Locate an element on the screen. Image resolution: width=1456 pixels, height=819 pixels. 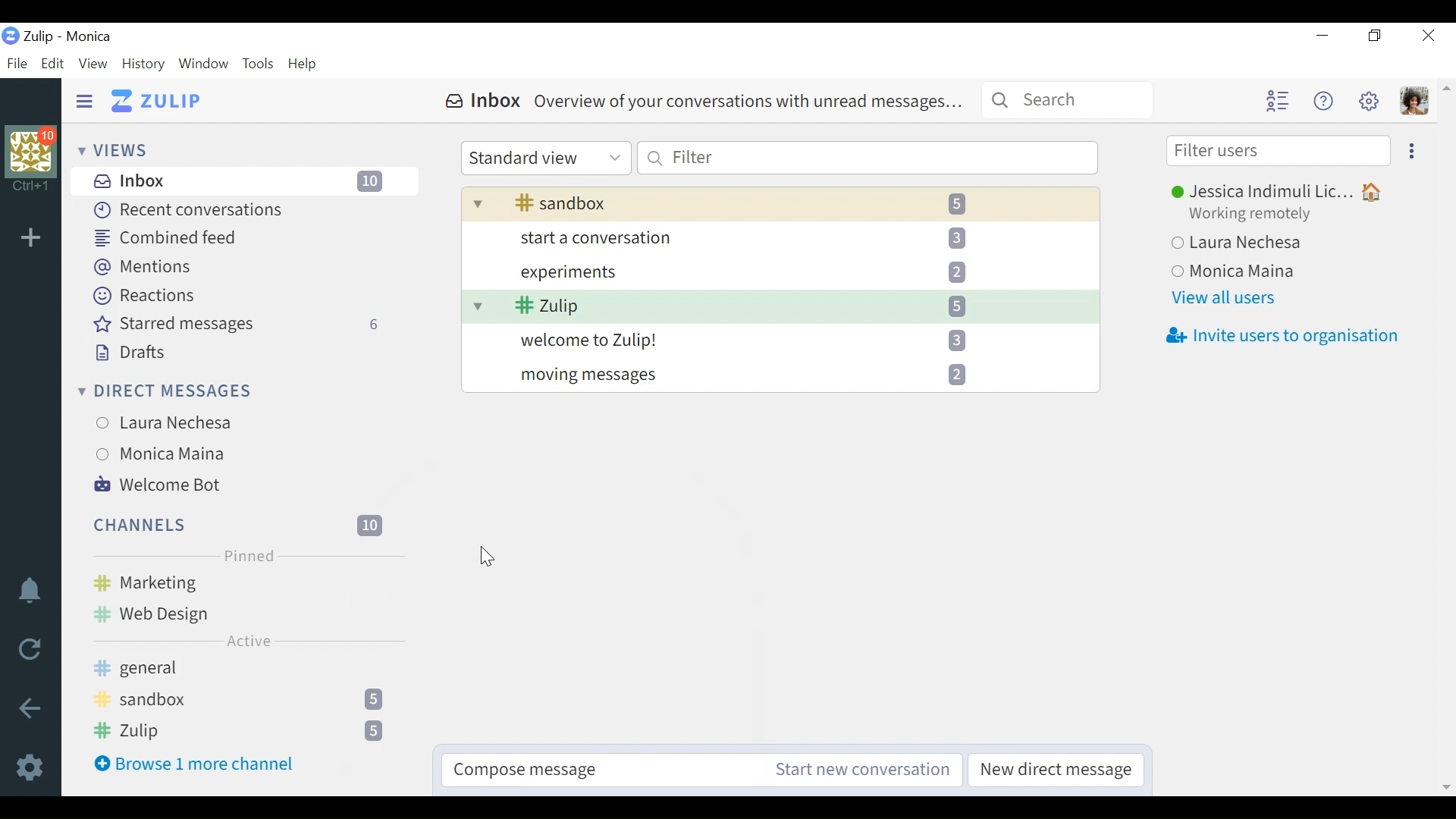
Laura Nechesa is located at coordinates (240, 423).